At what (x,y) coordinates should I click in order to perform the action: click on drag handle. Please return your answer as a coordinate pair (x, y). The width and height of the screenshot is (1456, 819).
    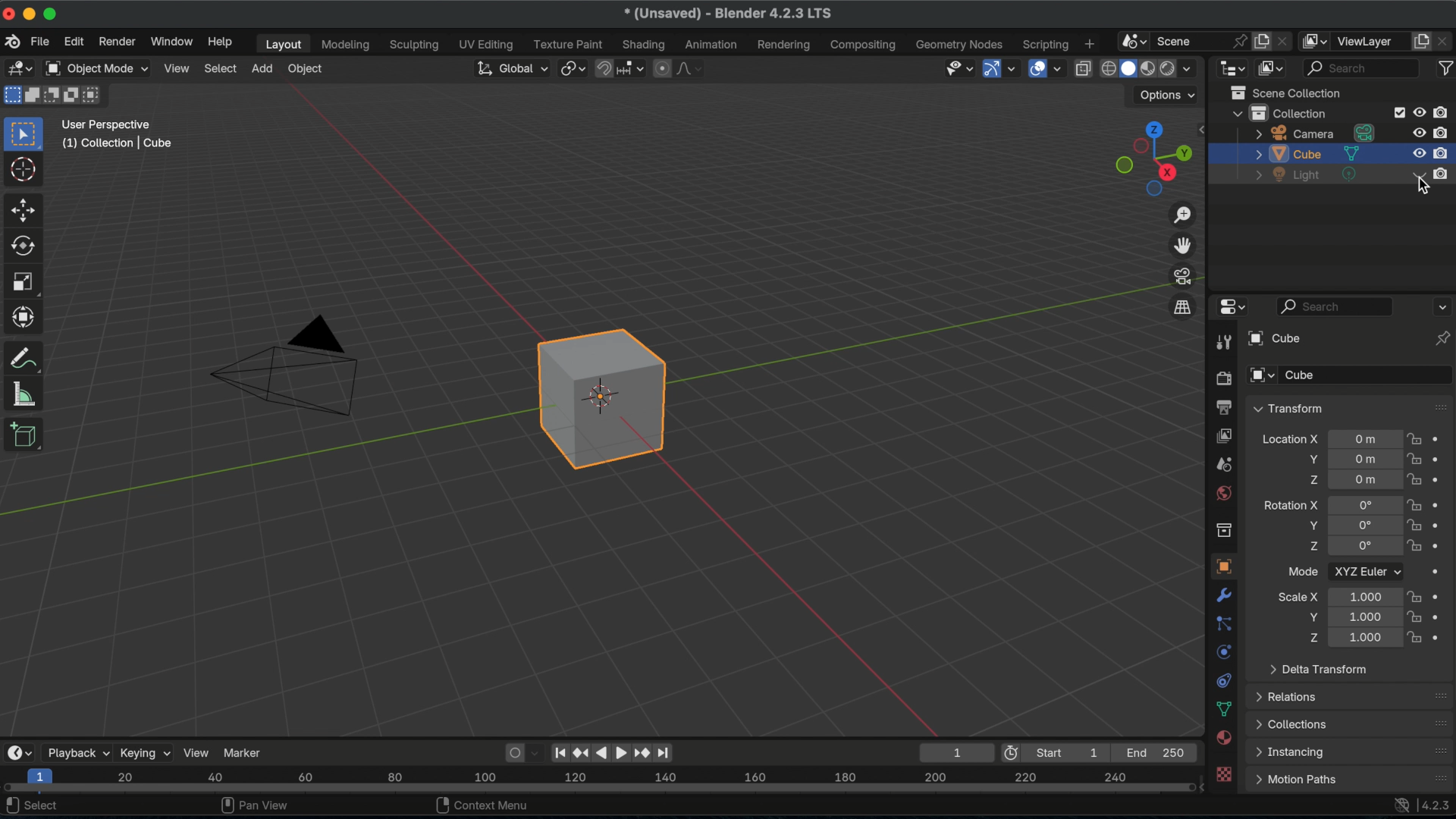
    Looking at the image, I should click on (1439, 750).